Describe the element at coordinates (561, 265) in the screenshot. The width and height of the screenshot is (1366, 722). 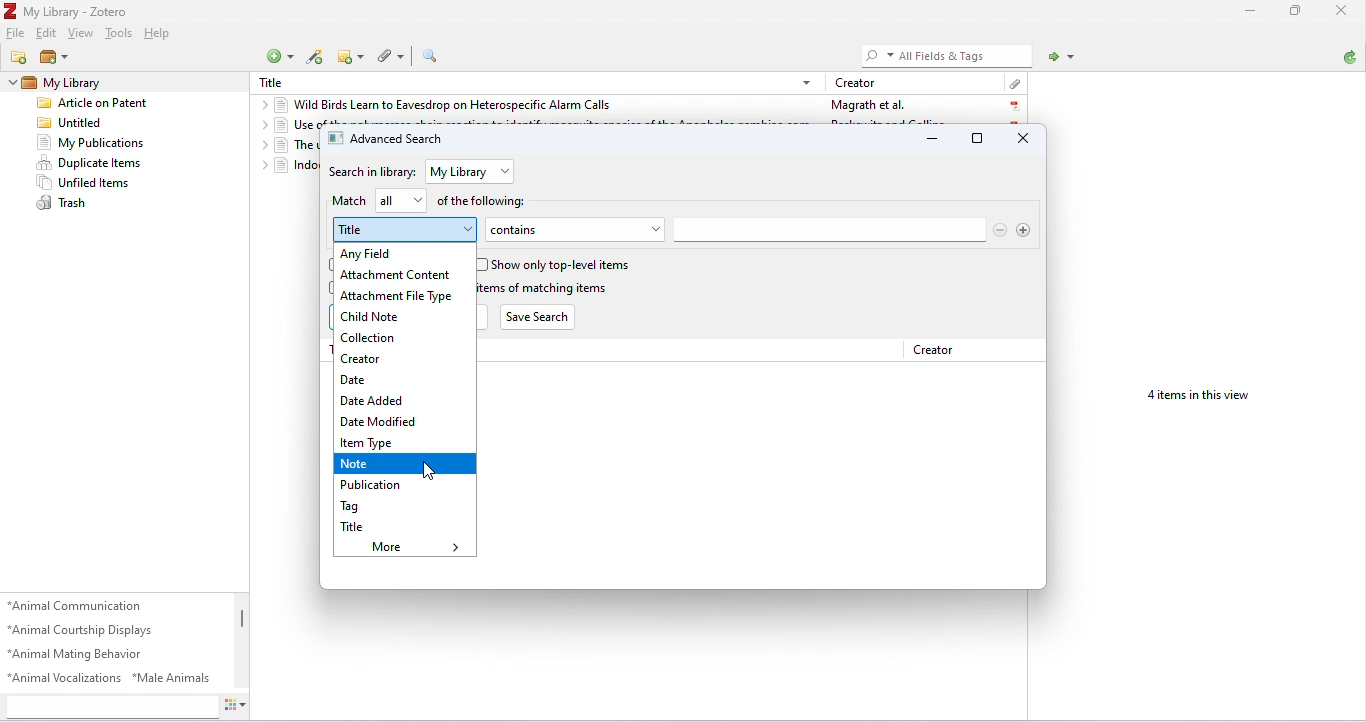
I see `show only top-level items` at that location.